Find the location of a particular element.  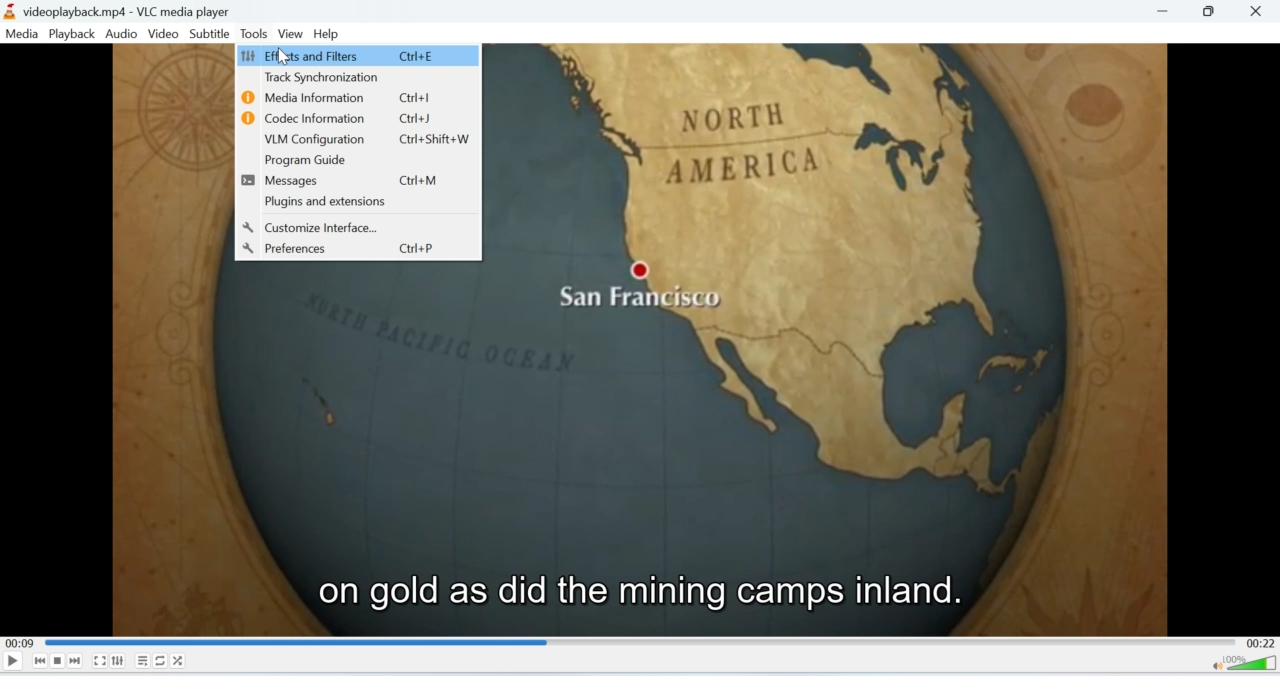

VLM Configuration is located at coordinates (314, 140).